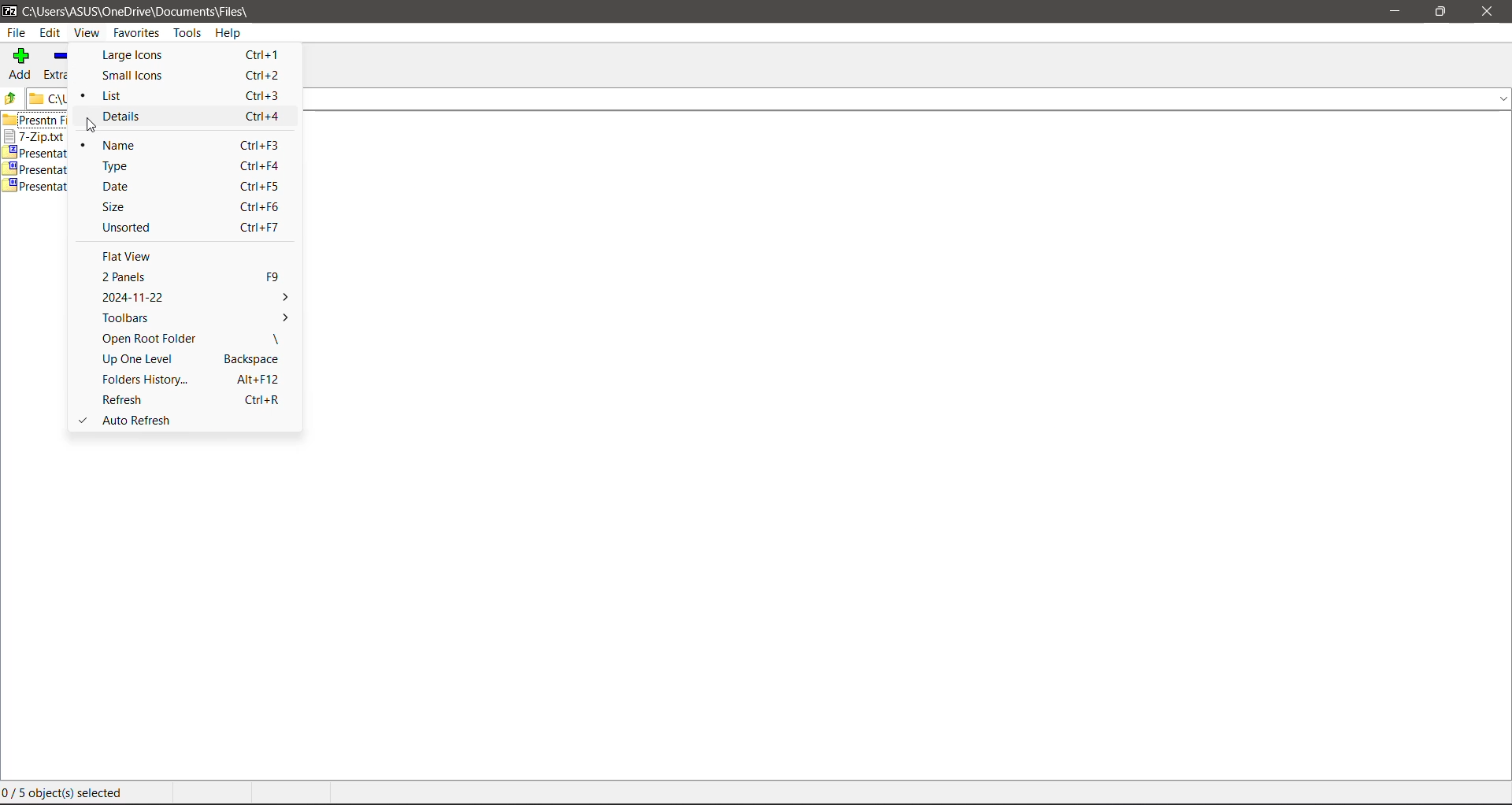  Describe the element at coordinates (188, 359) in the screenshot. I see `Up One Level` at that location.